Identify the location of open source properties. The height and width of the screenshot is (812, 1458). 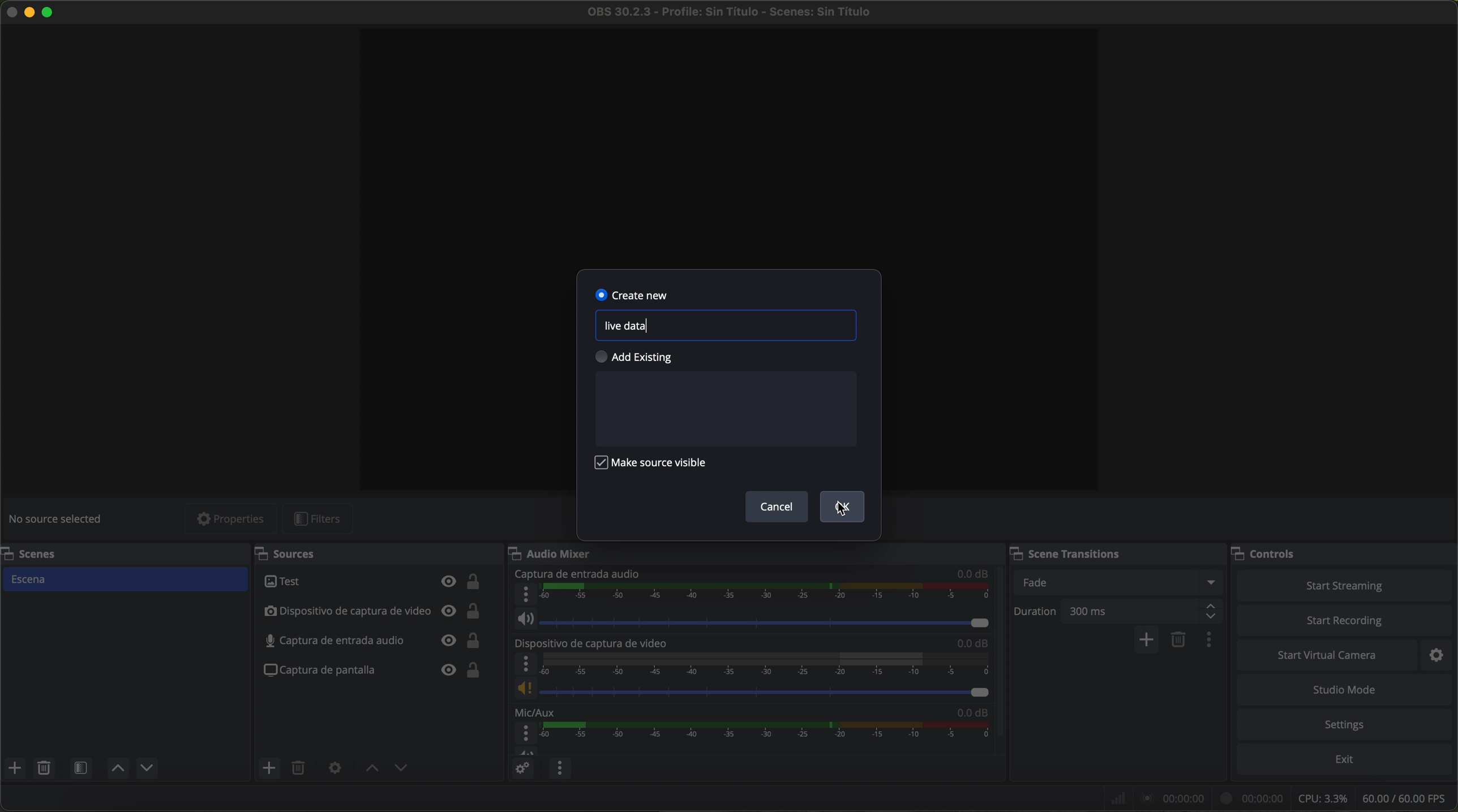
(335, 769).